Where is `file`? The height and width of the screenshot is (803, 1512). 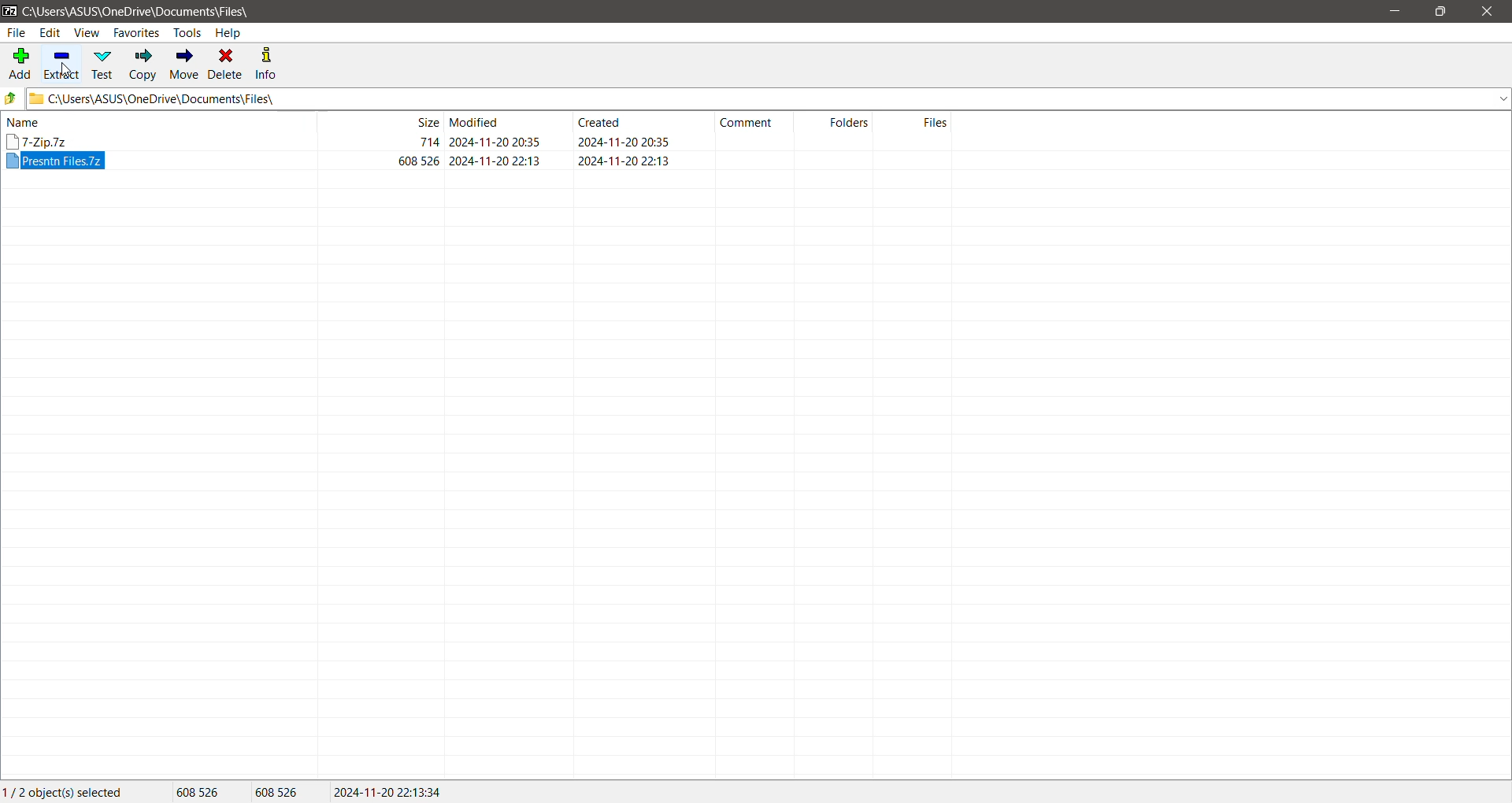
file is located at coordinates (38, 141).